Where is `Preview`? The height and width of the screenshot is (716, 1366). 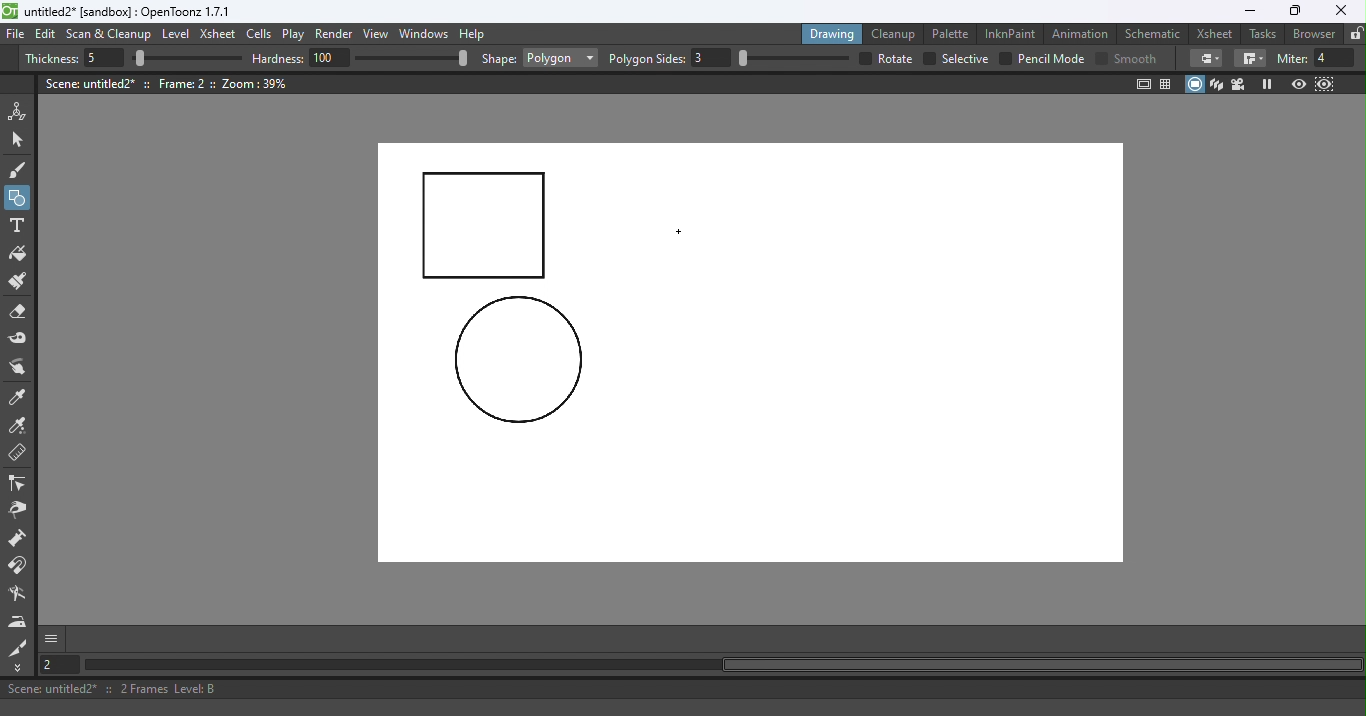
Preview is located at coordinates (1298, 85).